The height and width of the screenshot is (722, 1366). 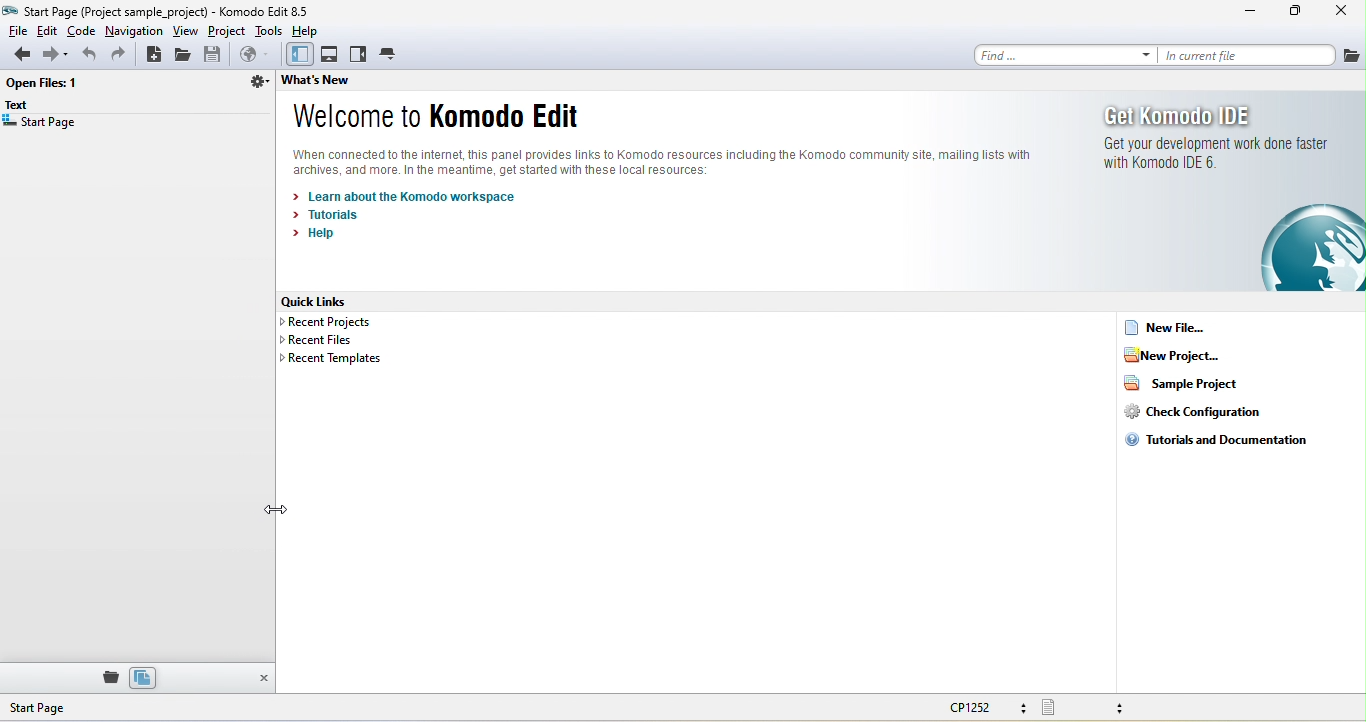 I want to click on files, so click(x=143, y=677).